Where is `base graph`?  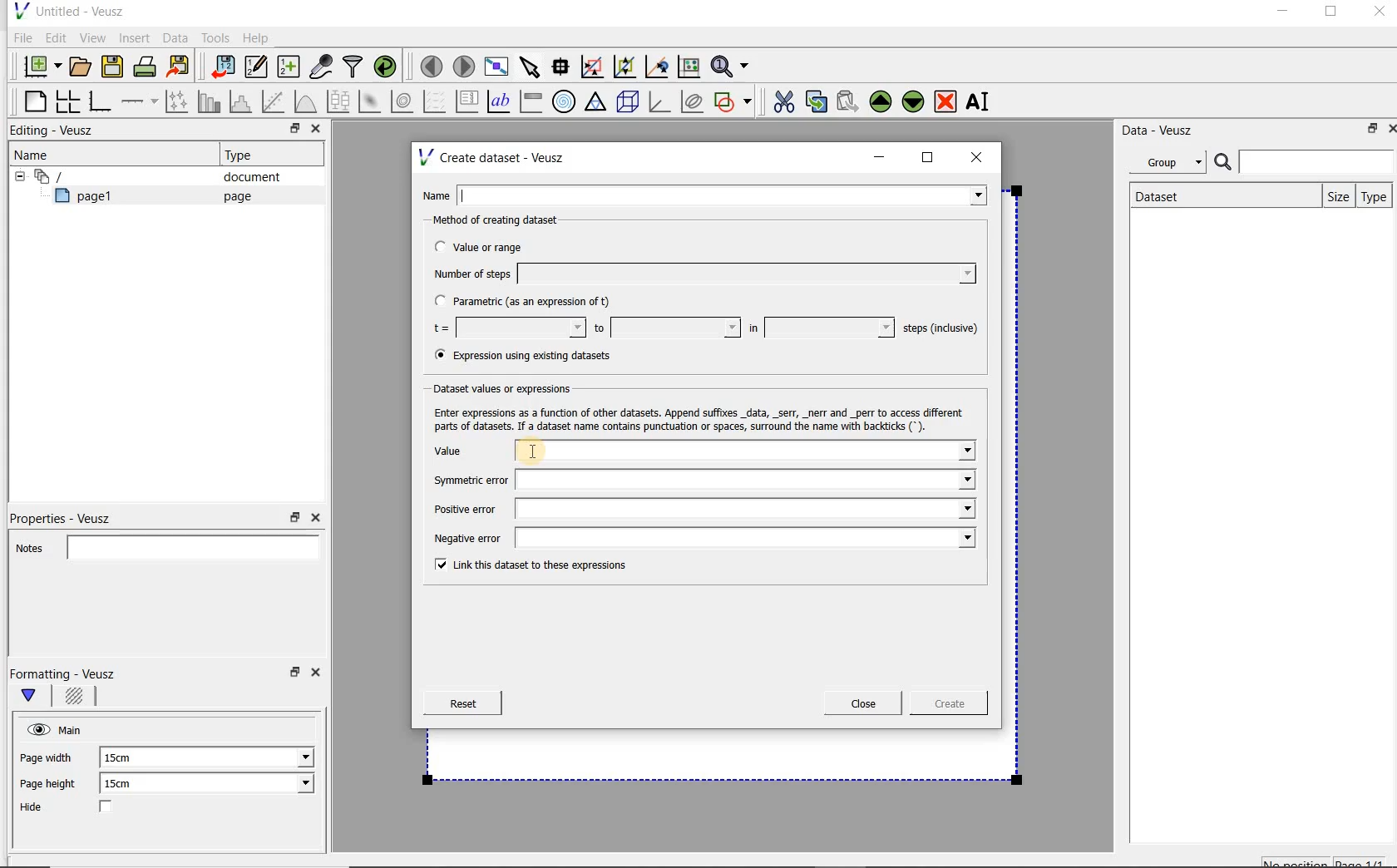
base graph is located at coordinates (99, 102).